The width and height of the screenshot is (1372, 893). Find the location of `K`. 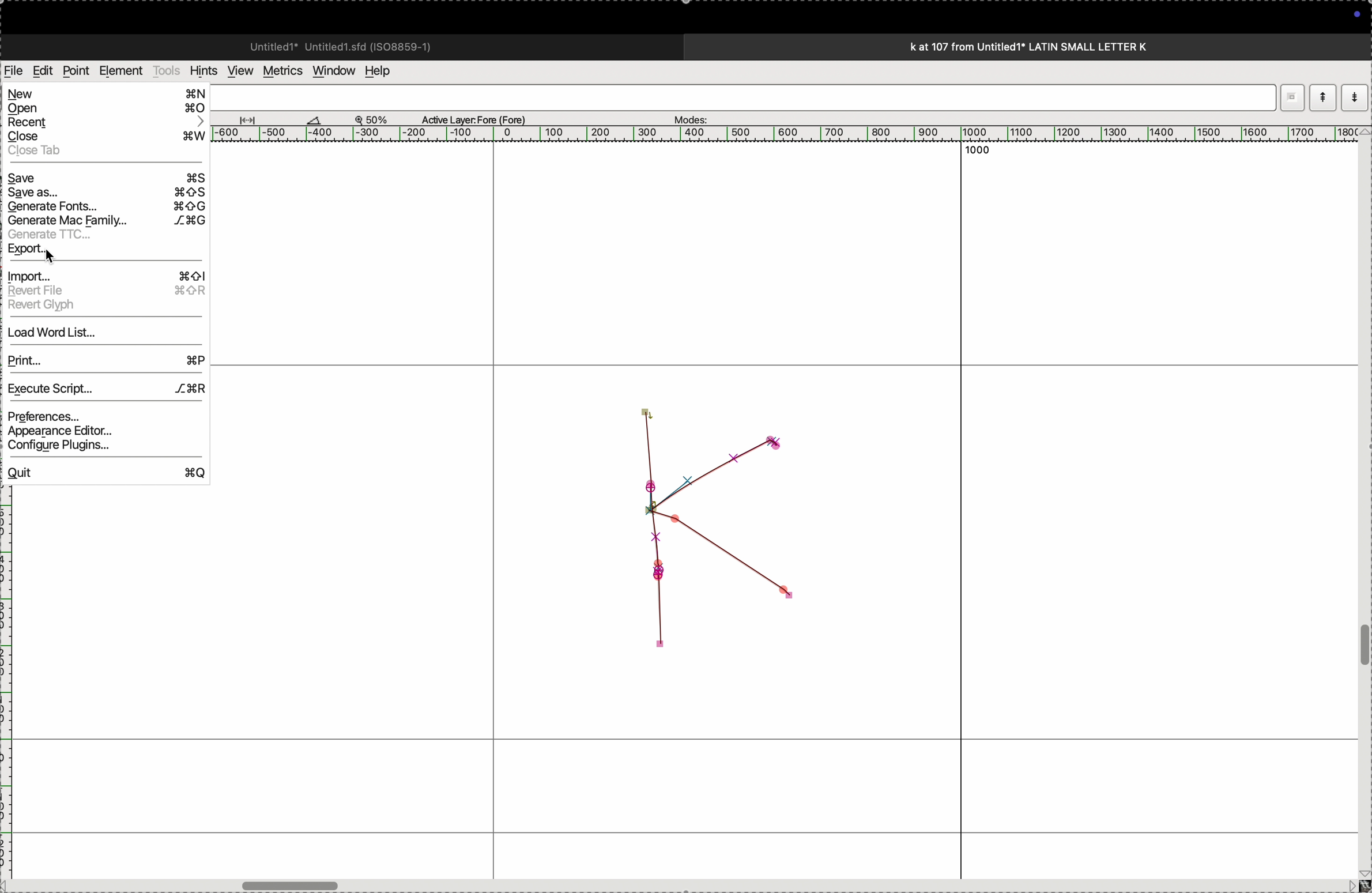

K is located at coordinates (14, 96).